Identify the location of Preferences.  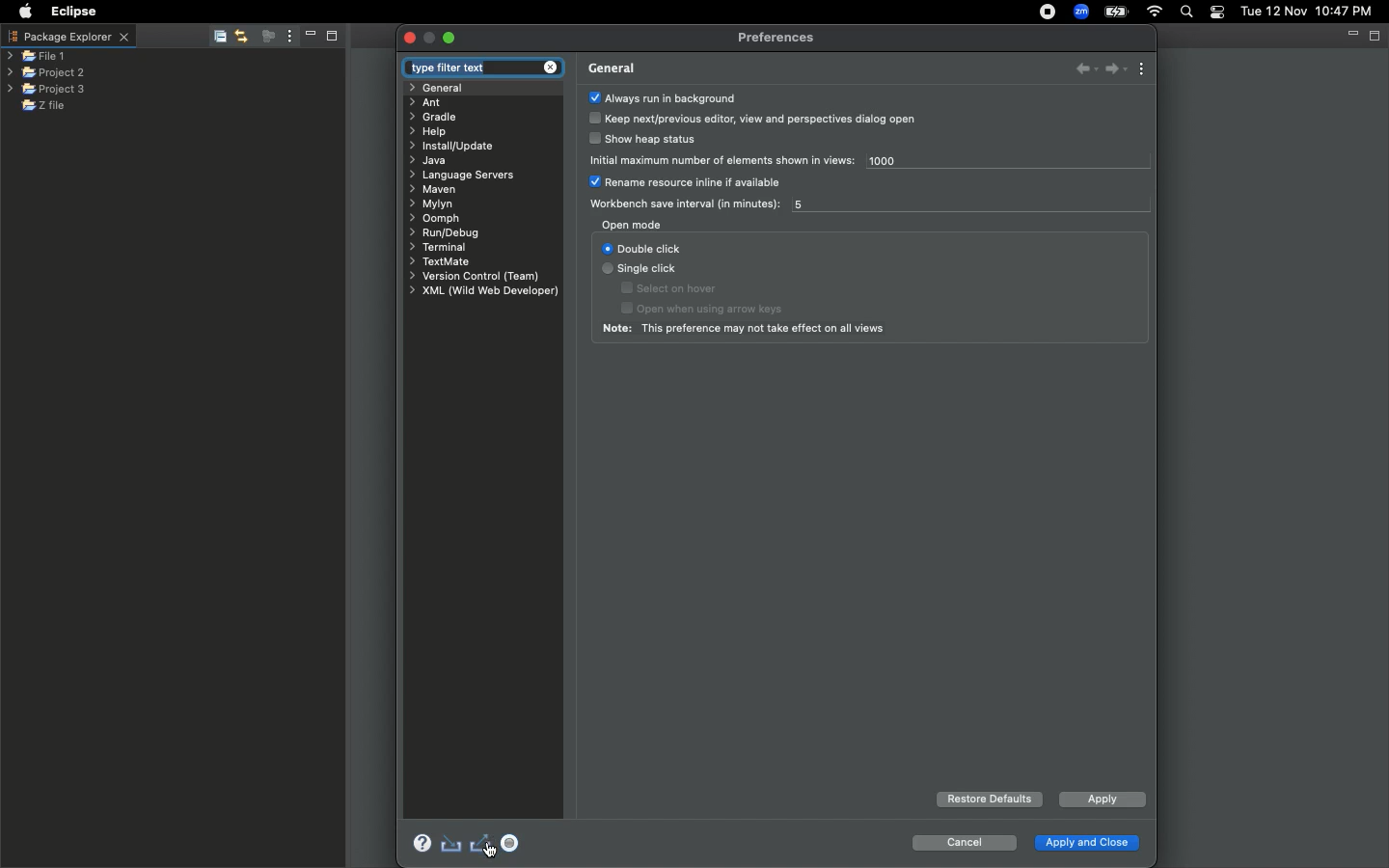
(777, 39).